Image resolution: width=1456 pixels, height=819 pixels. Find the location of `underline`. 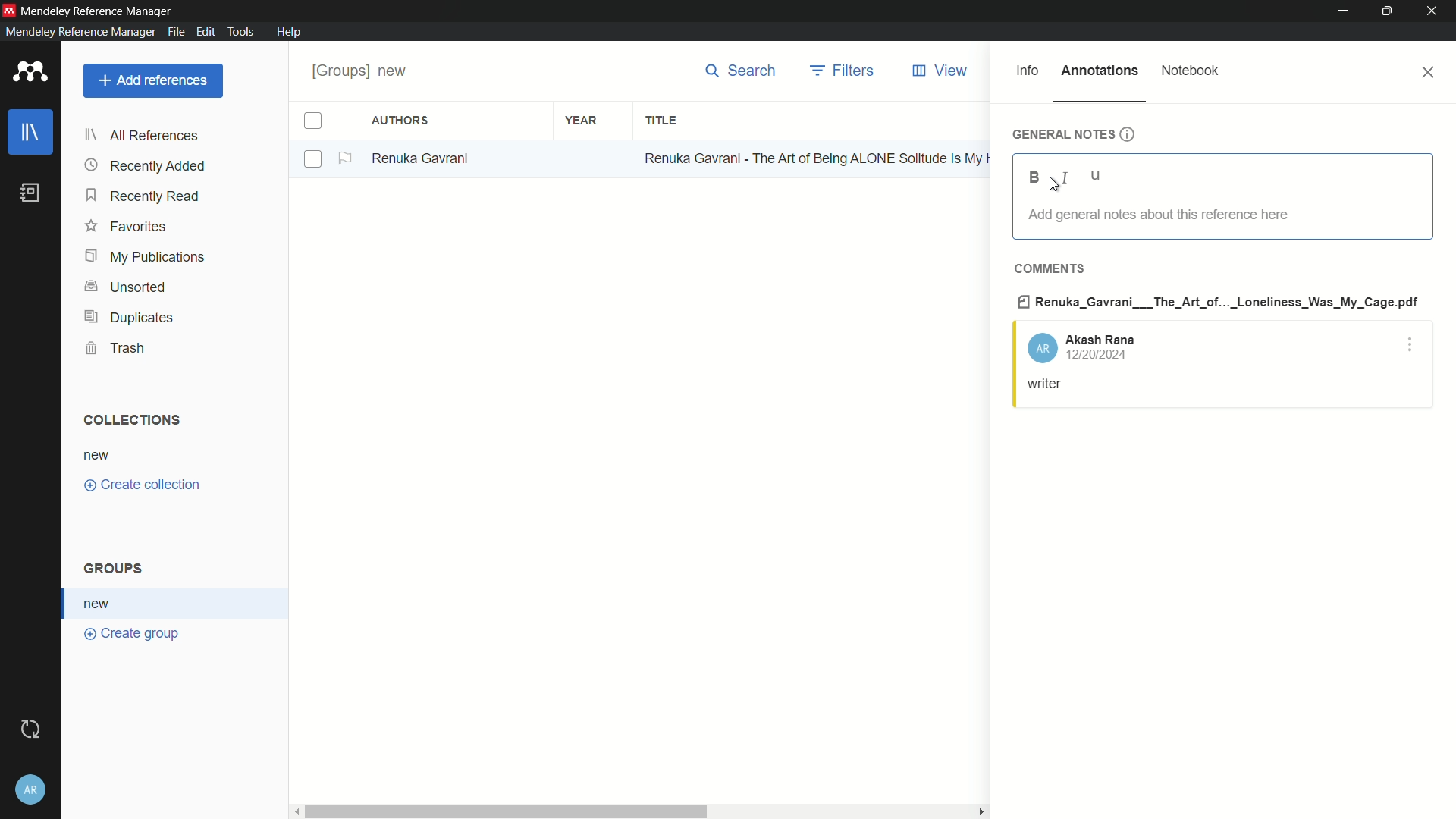

underline is located at coordinates (1097, 177).